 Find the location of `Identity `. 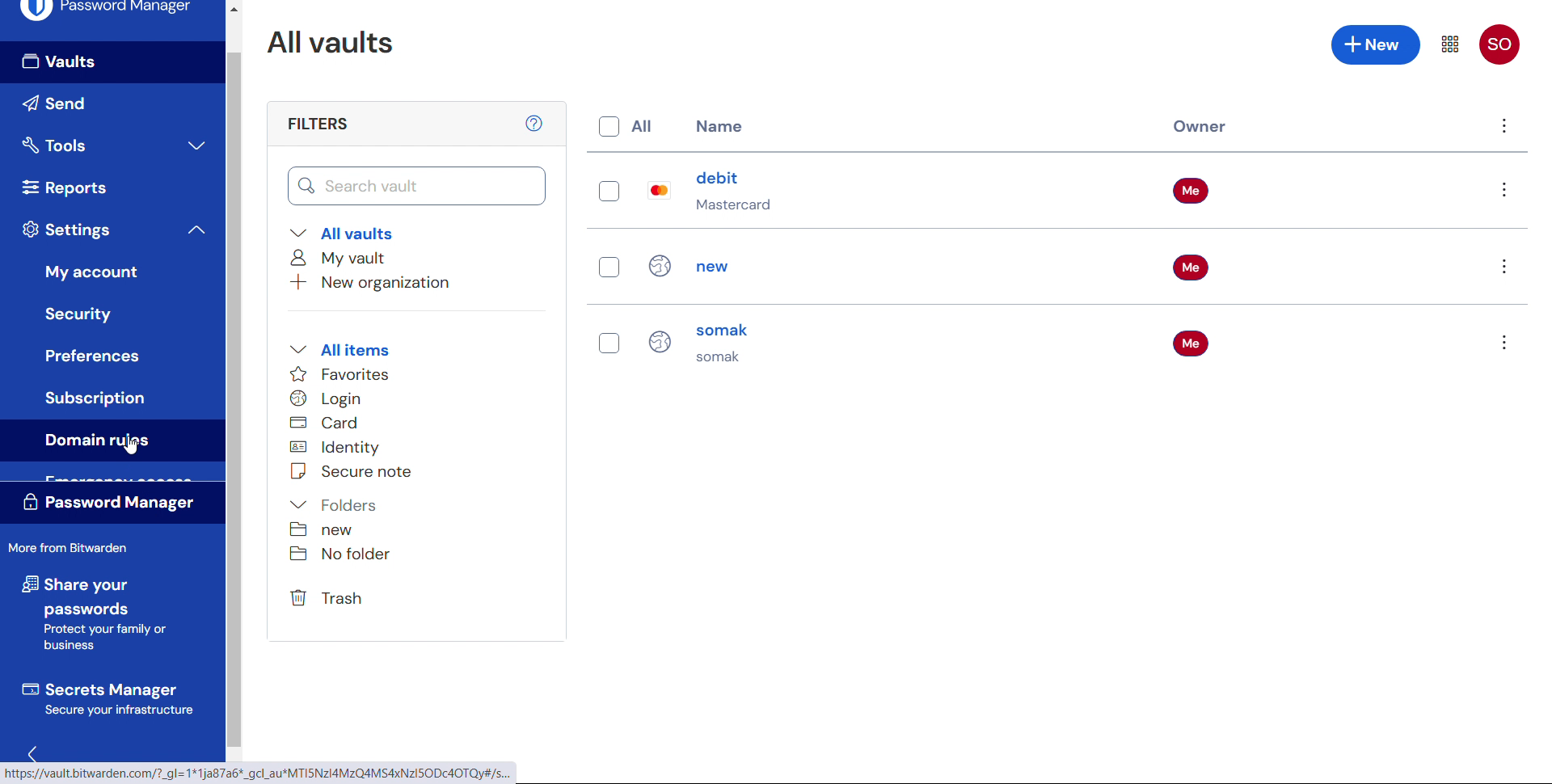

Identity  is located at coordinates (334, 446).